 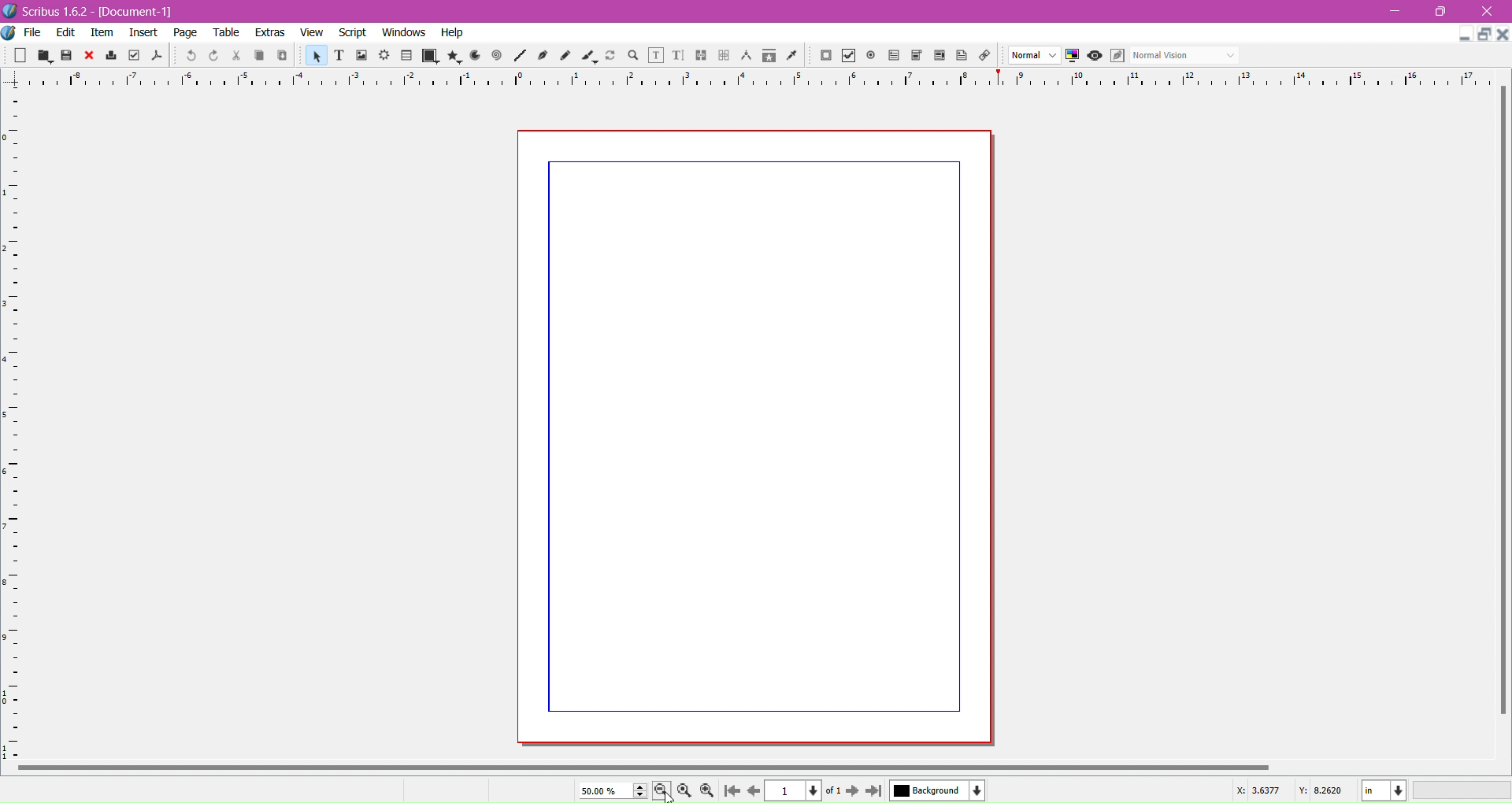 I want to click on Go to first page, so click(x=730, y=791).